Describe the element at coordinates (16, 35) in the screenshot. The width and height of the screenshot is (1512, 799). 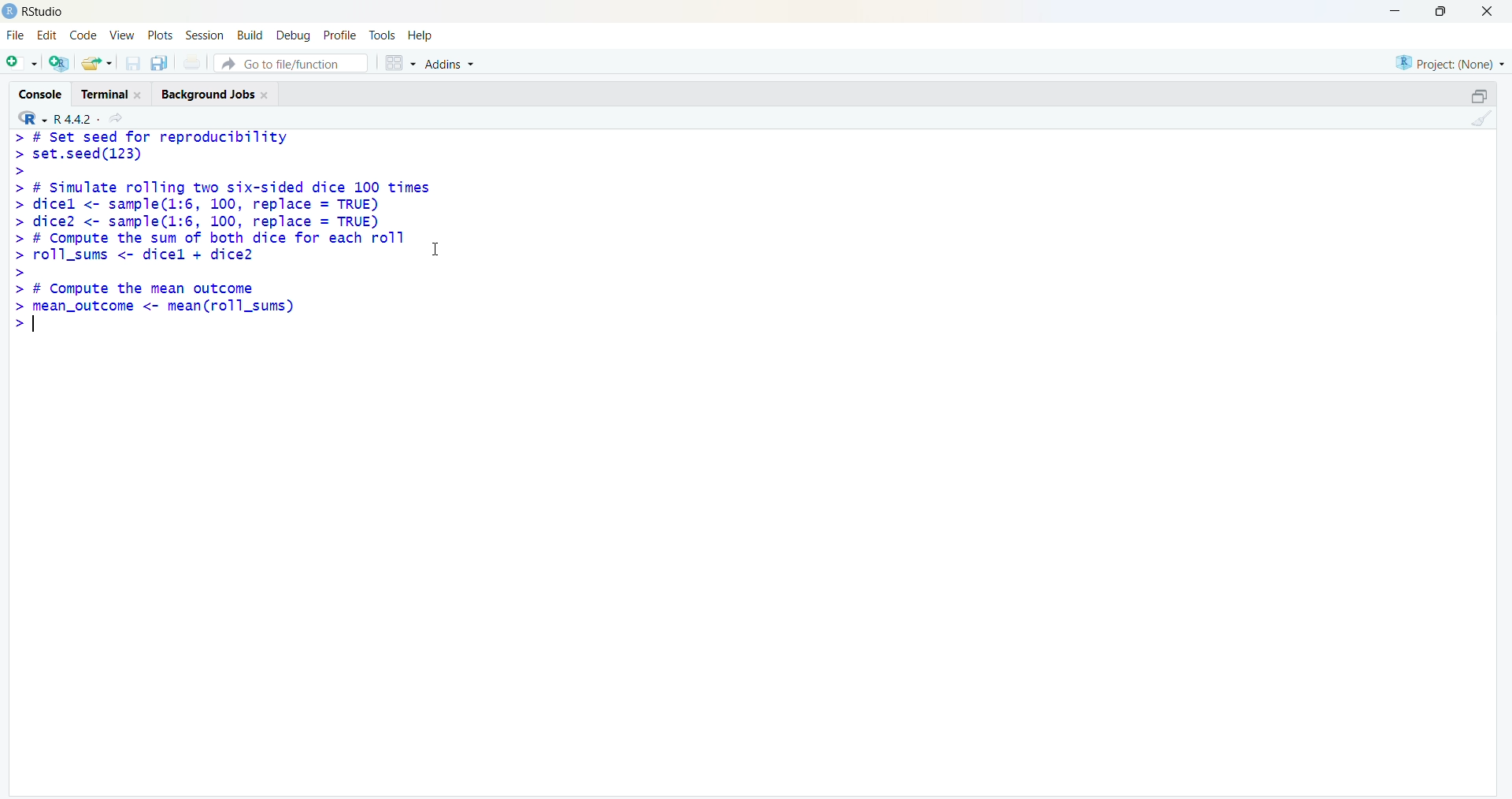
I see `file` at that location.